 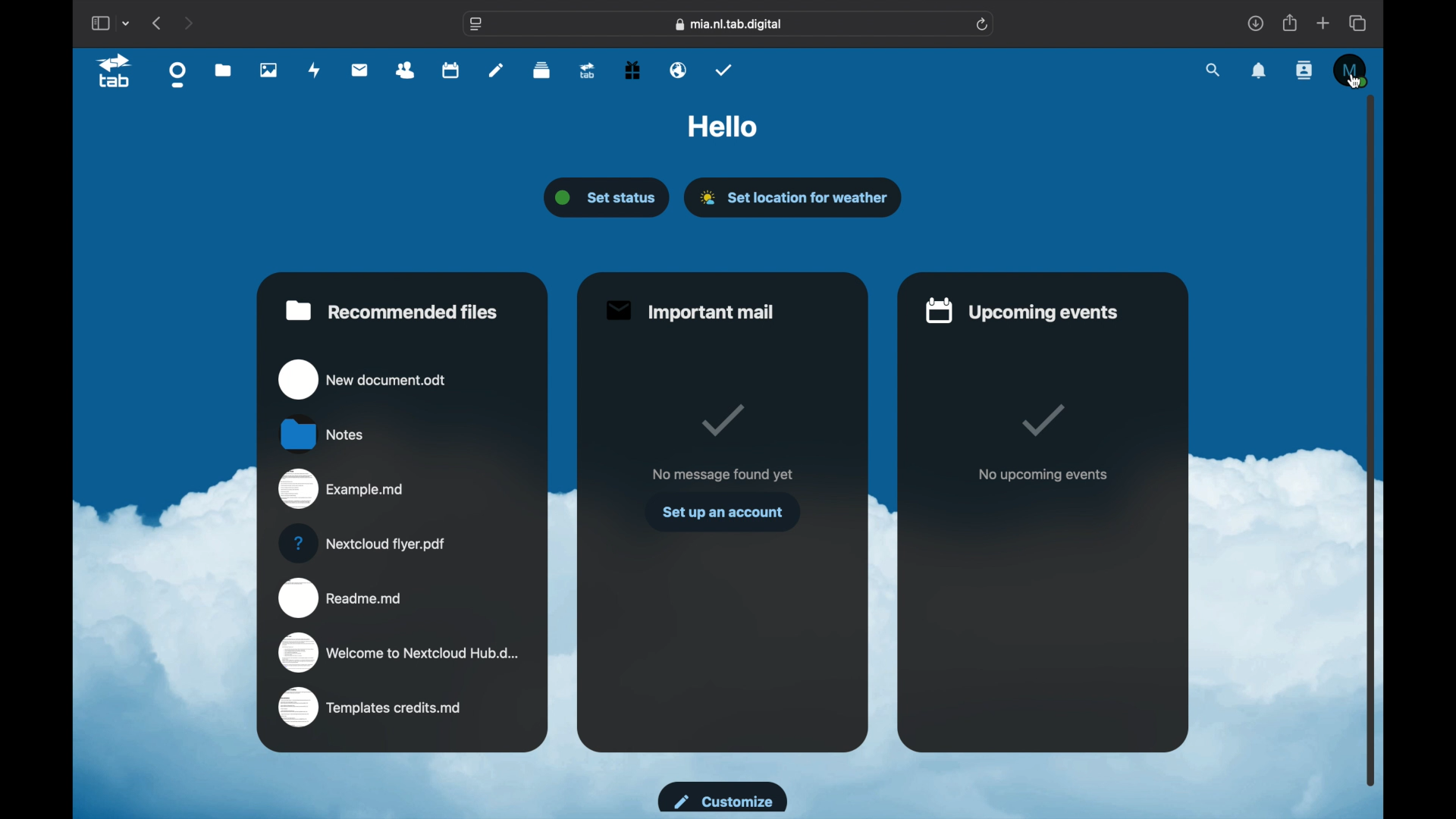 What do you see at coordinates (731, 24) in the screenshot?
I see `web address` at bounding box center [731, 24].